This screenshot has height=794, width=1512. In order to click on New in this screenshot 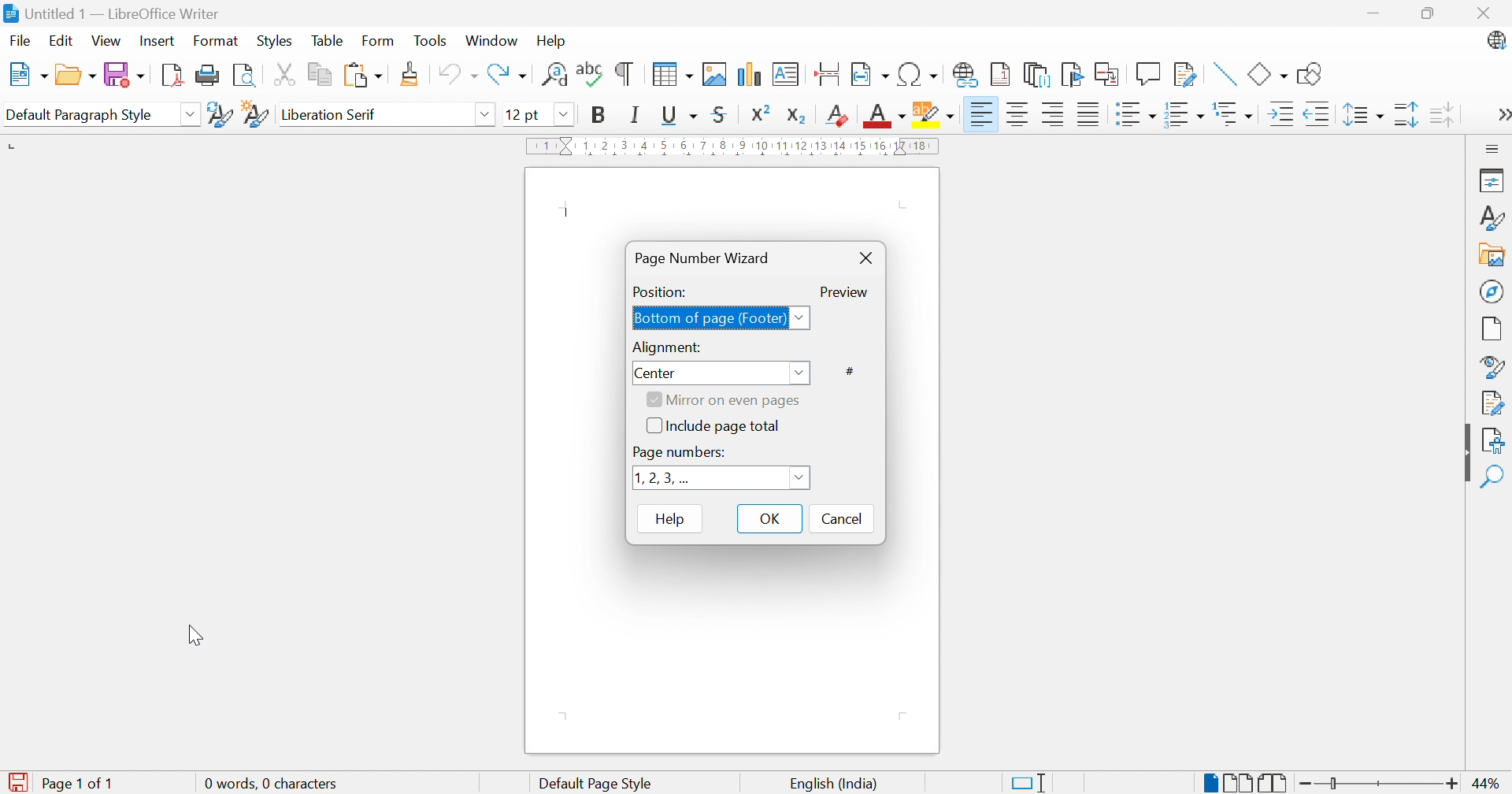, I will do `click(28, 73)`.